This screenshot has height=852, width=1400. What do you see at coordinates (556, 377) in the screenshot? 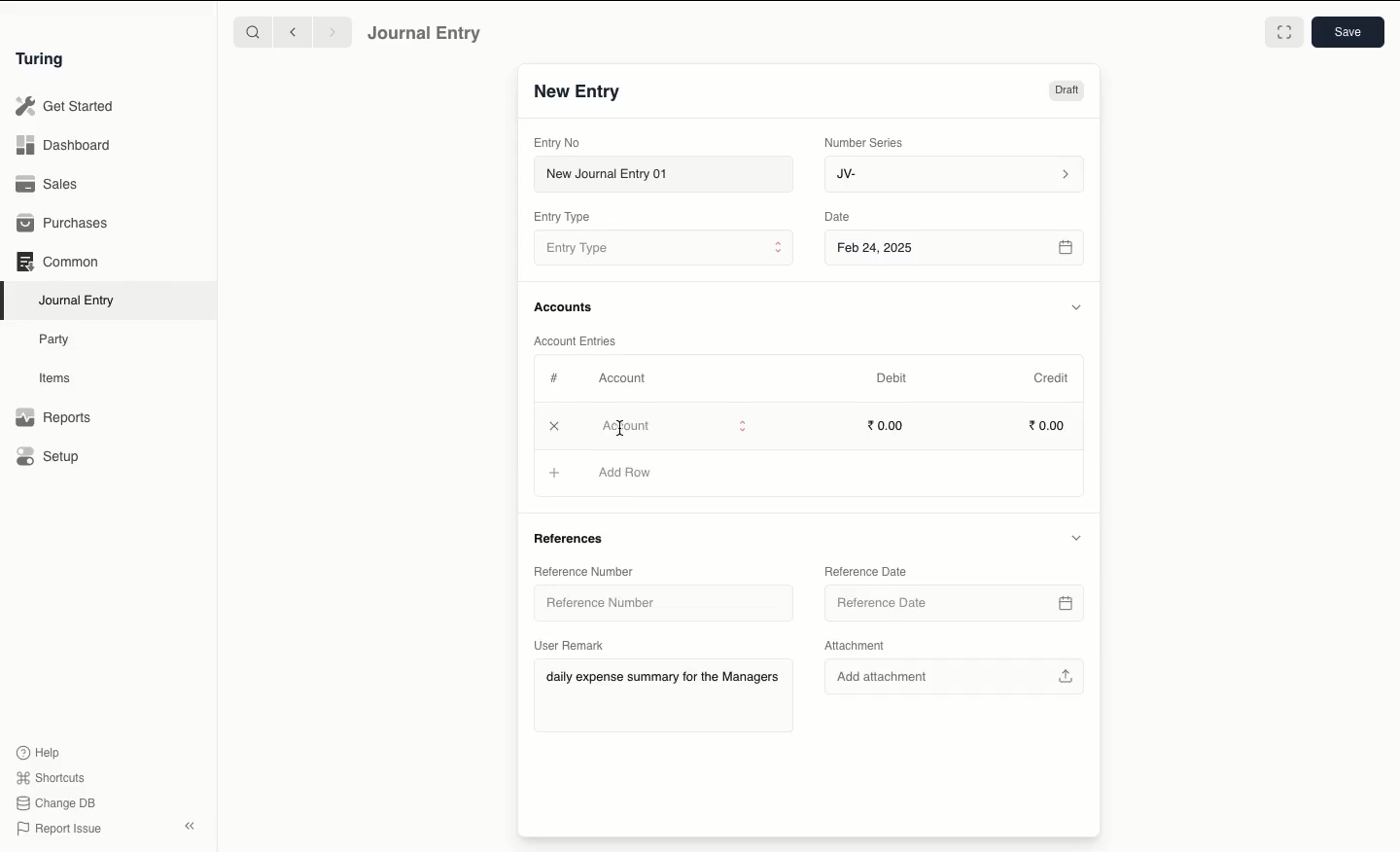
I see `Hashtag` at bounding box center [556, 377].